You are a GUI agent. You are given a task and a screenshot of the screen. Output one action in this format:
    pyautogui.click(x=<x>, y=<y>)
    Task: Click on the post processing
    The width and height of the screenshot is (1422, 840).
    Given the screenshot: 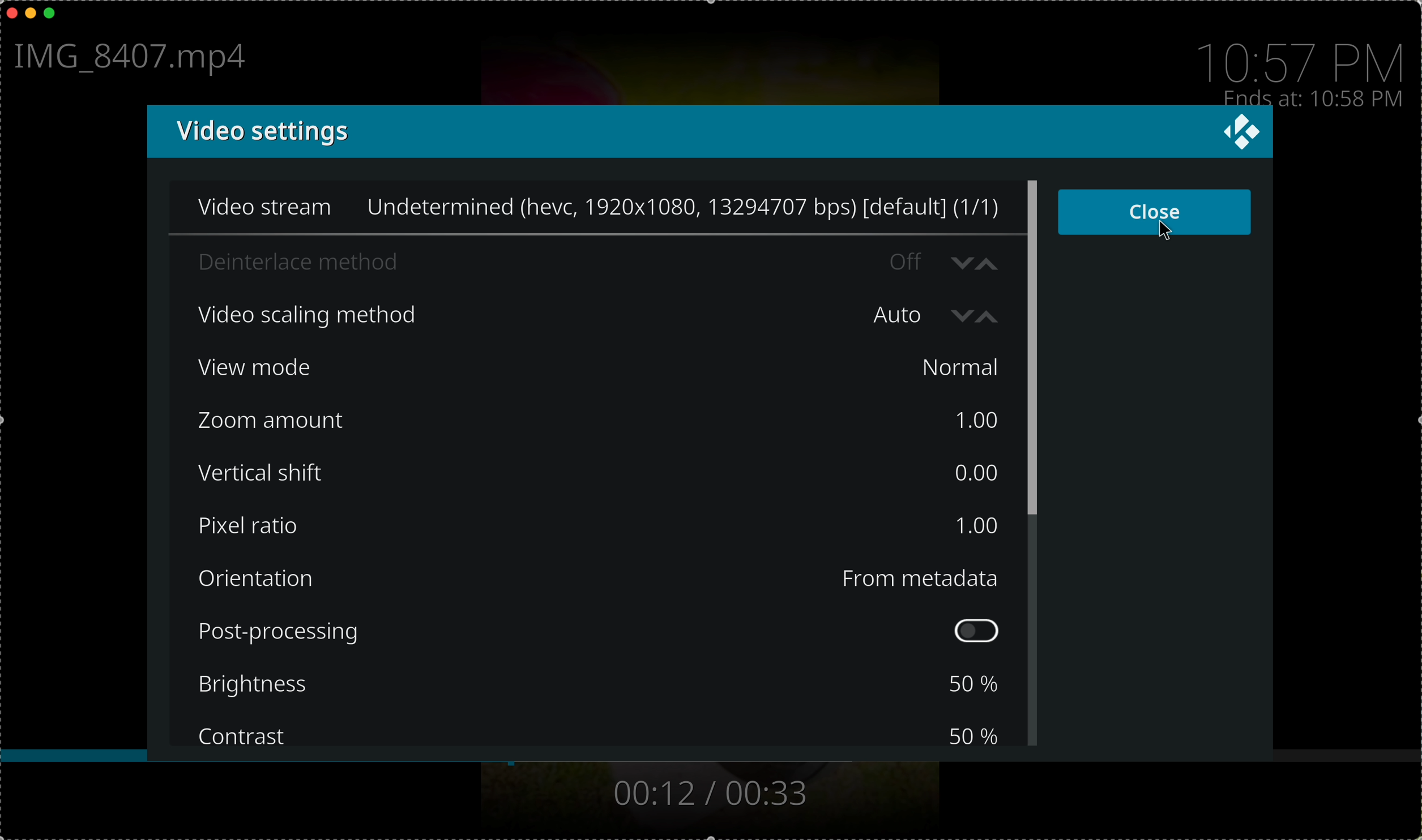 What is the action you would take?
    pyautogui.click(x=603, y=631)
    